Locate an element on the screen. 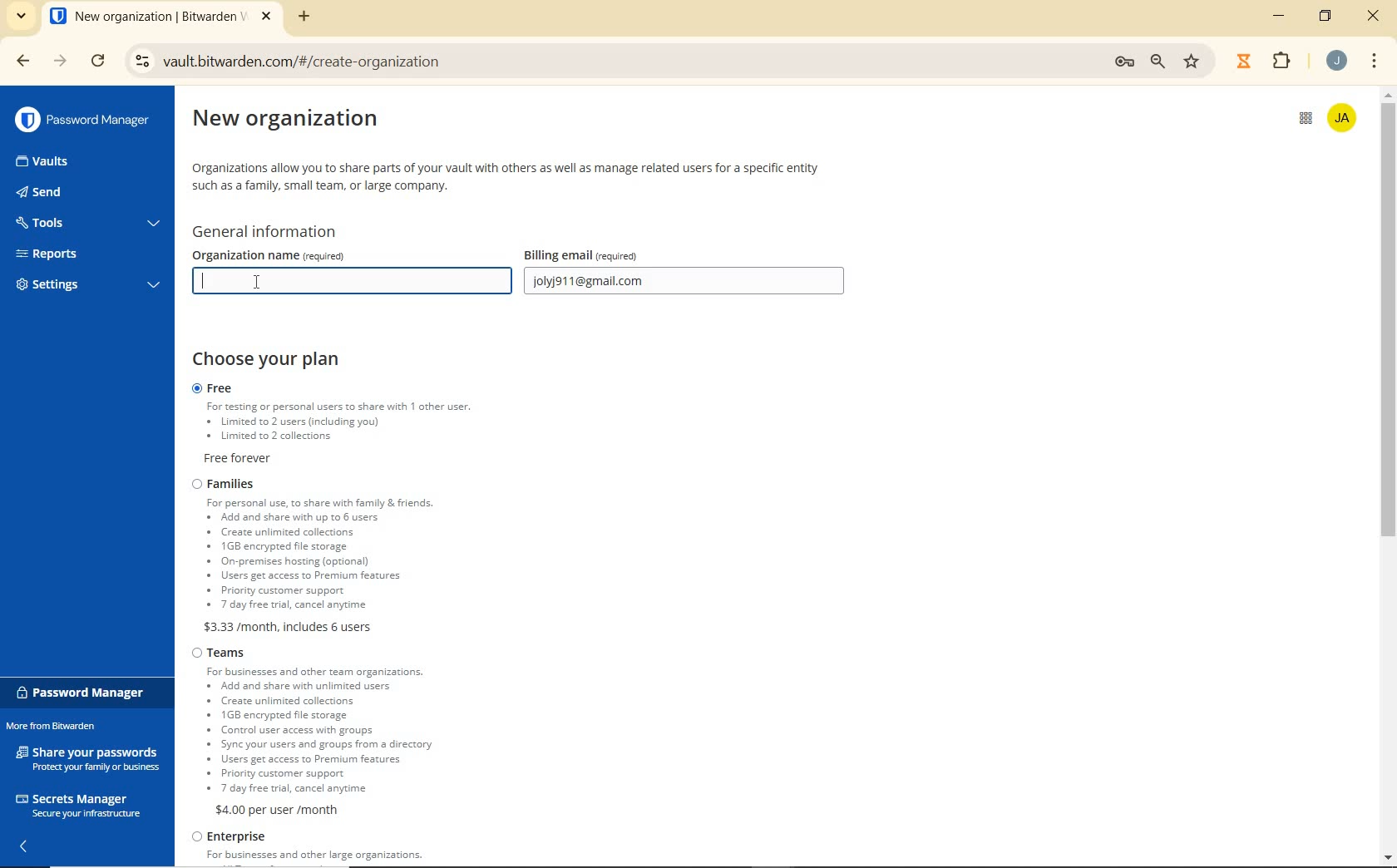 The height and width of the screenshot is (868, 1397). bookmark this tab is located at coordinates (1194, 60).